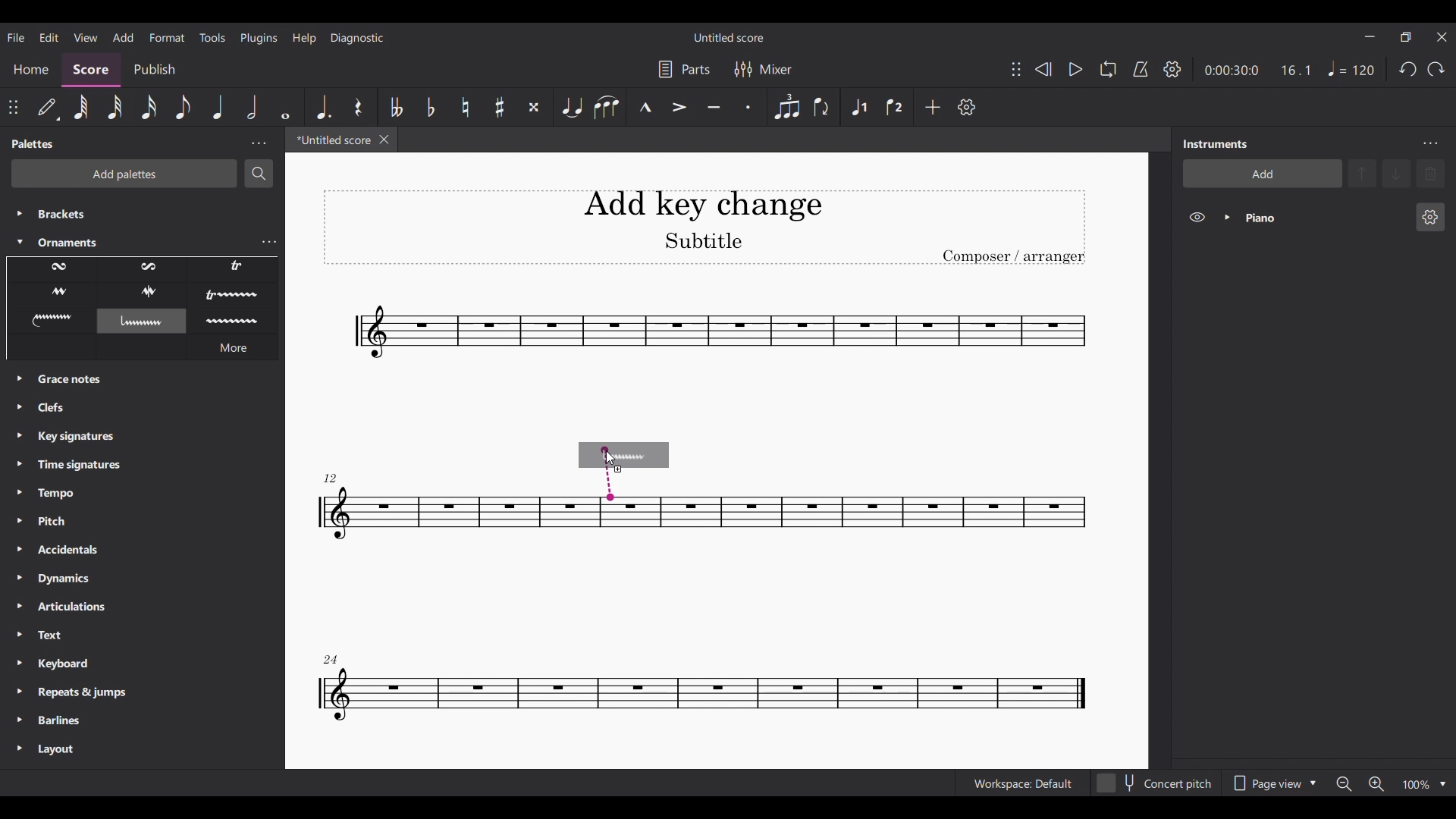  I want to click on Tuneto, so click(714, 106).